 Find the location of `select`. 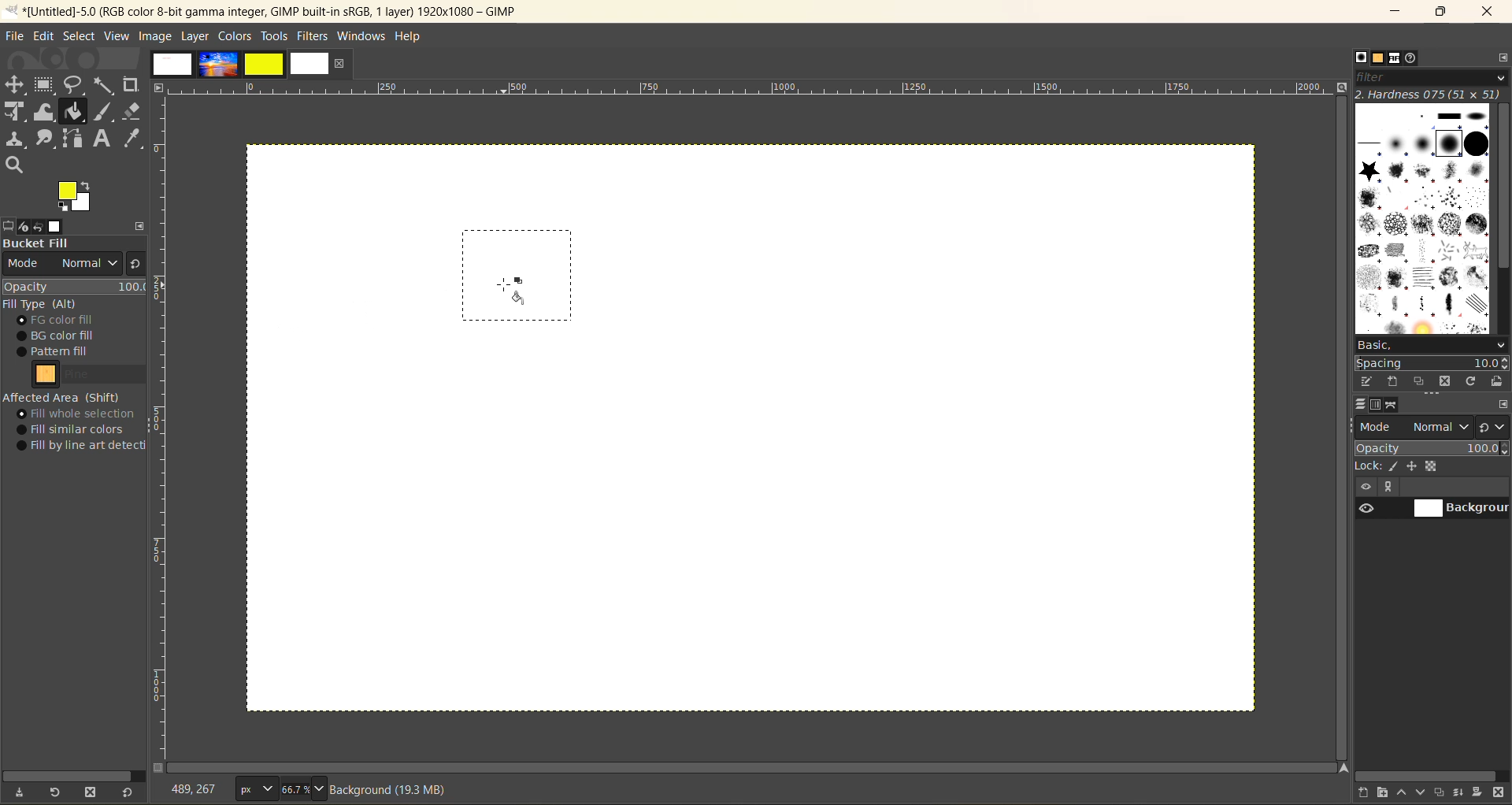

select is located at coordinates (83, 38).